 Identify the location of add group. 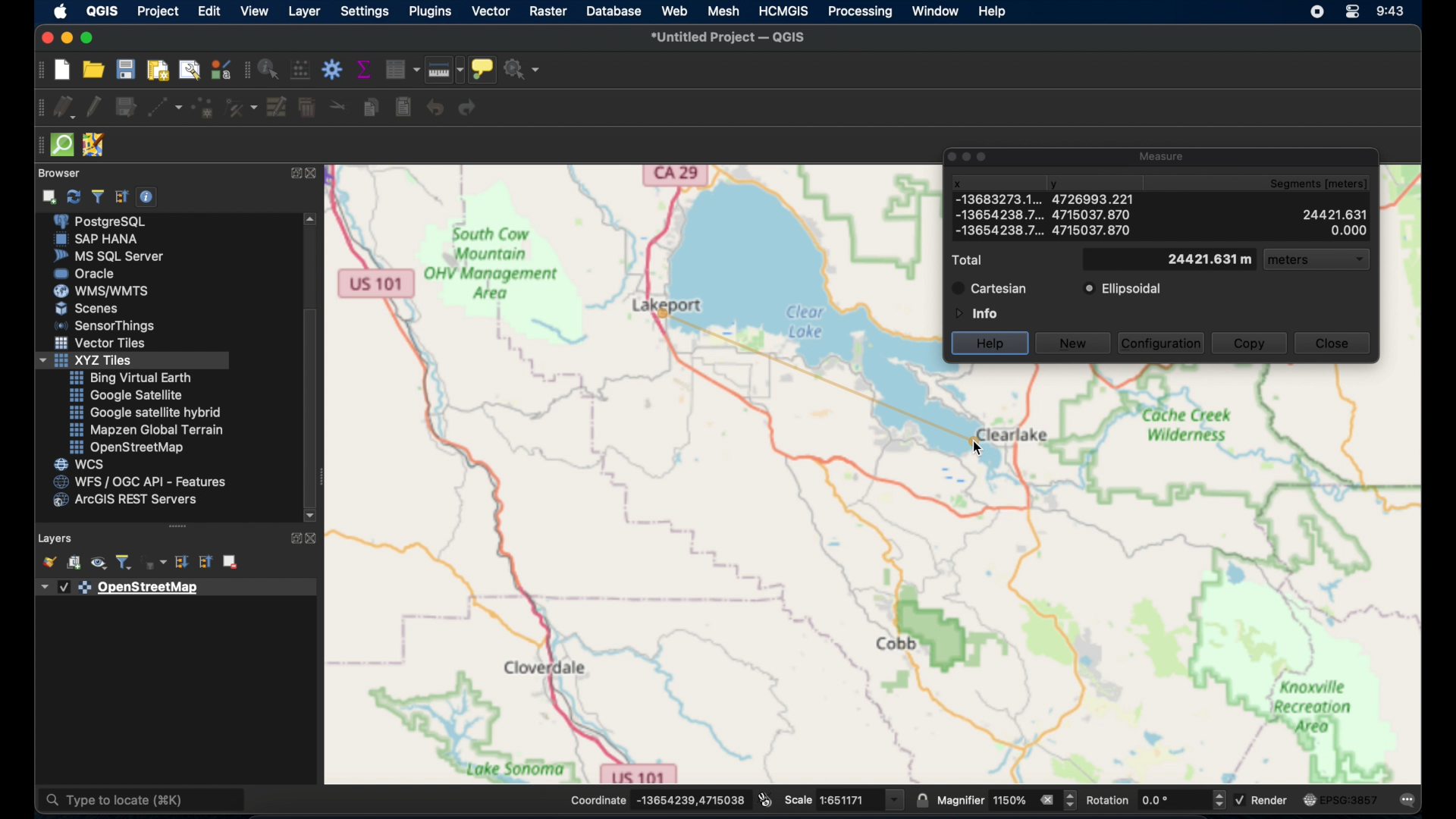
(74, 564).